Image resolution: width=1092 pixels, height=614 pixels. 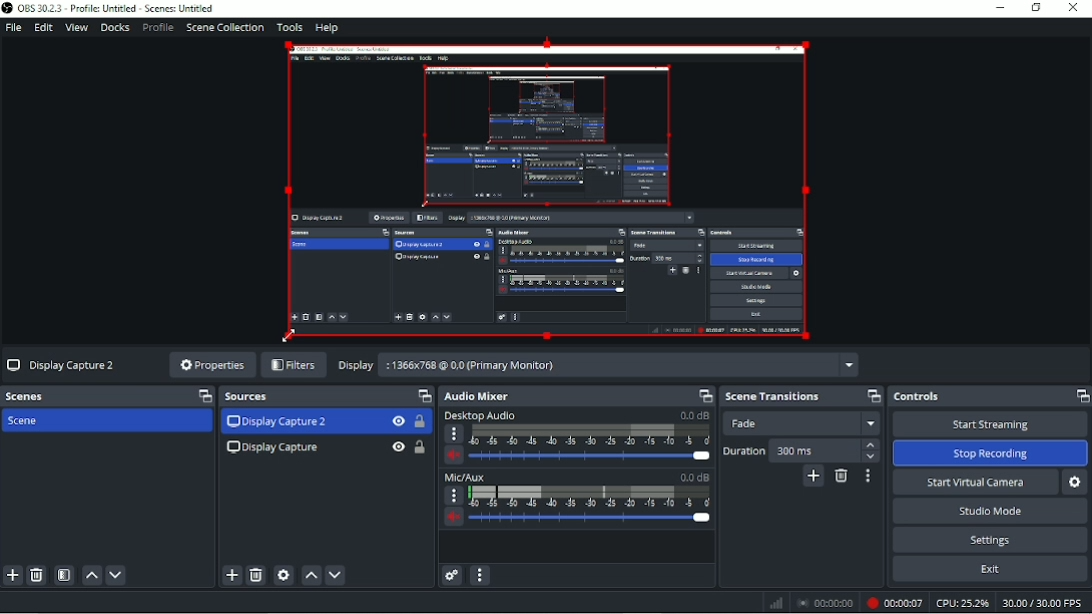 What do you see at coordinates (1035, 8) in the screenshot?
I see `Restore down` at bounding box center [1035, 8].